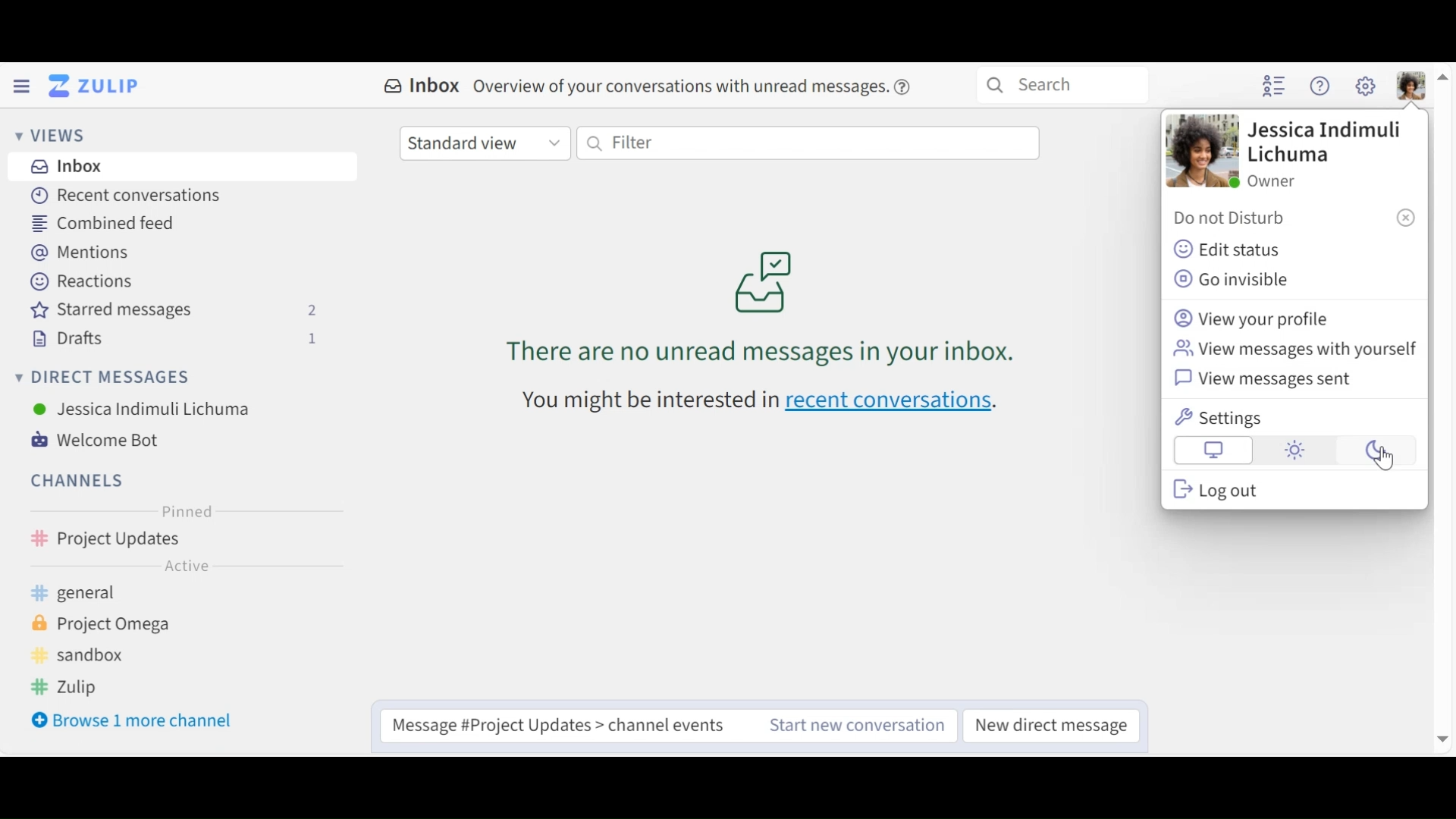 The height and width of the screenshot is (819, 1456). I want to click on Remove, so click(1405, 217).